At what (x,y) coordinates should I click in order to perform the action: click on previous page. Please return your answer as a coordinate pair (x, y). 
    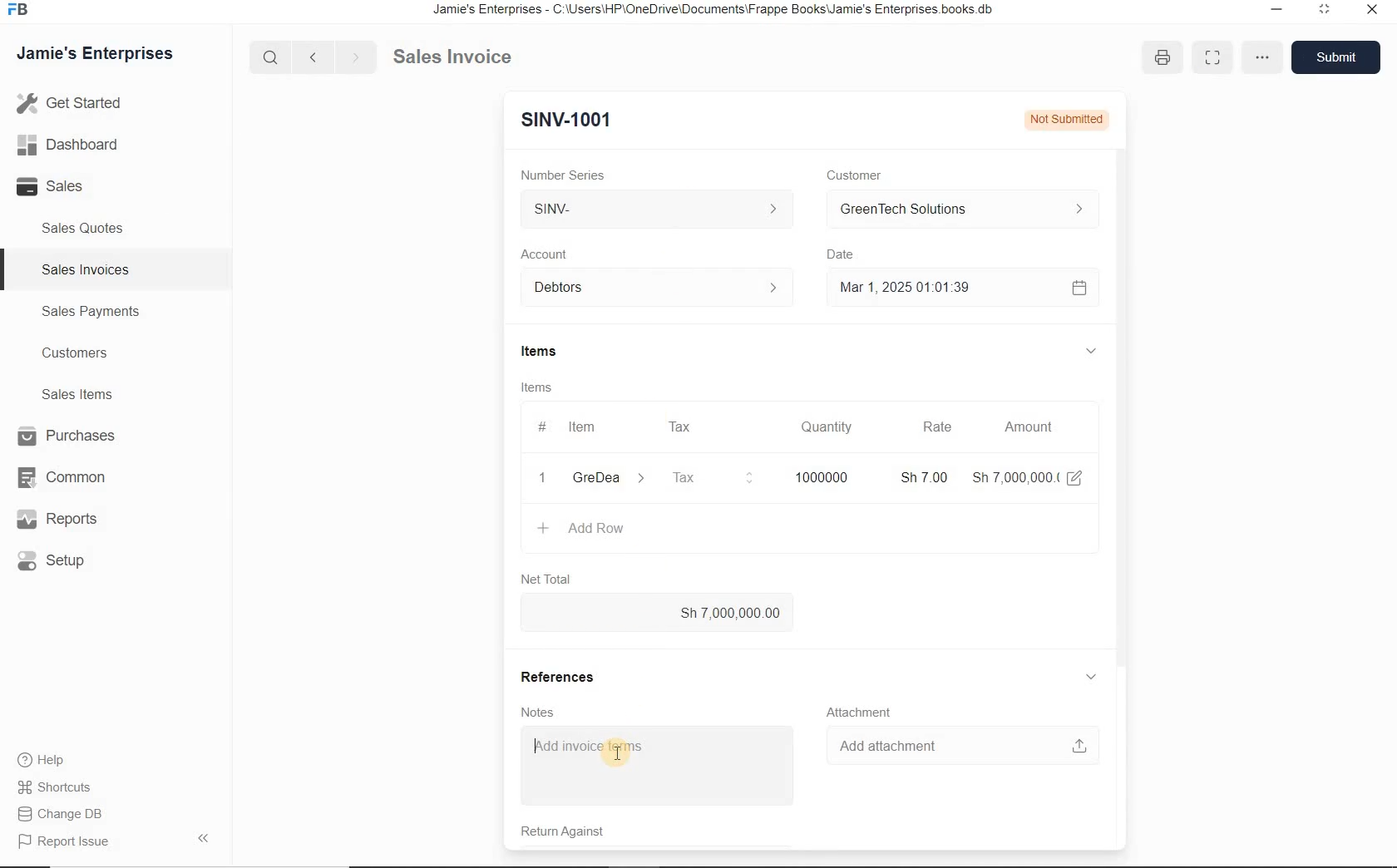
    Looking at the image, I should click on (312, 57).